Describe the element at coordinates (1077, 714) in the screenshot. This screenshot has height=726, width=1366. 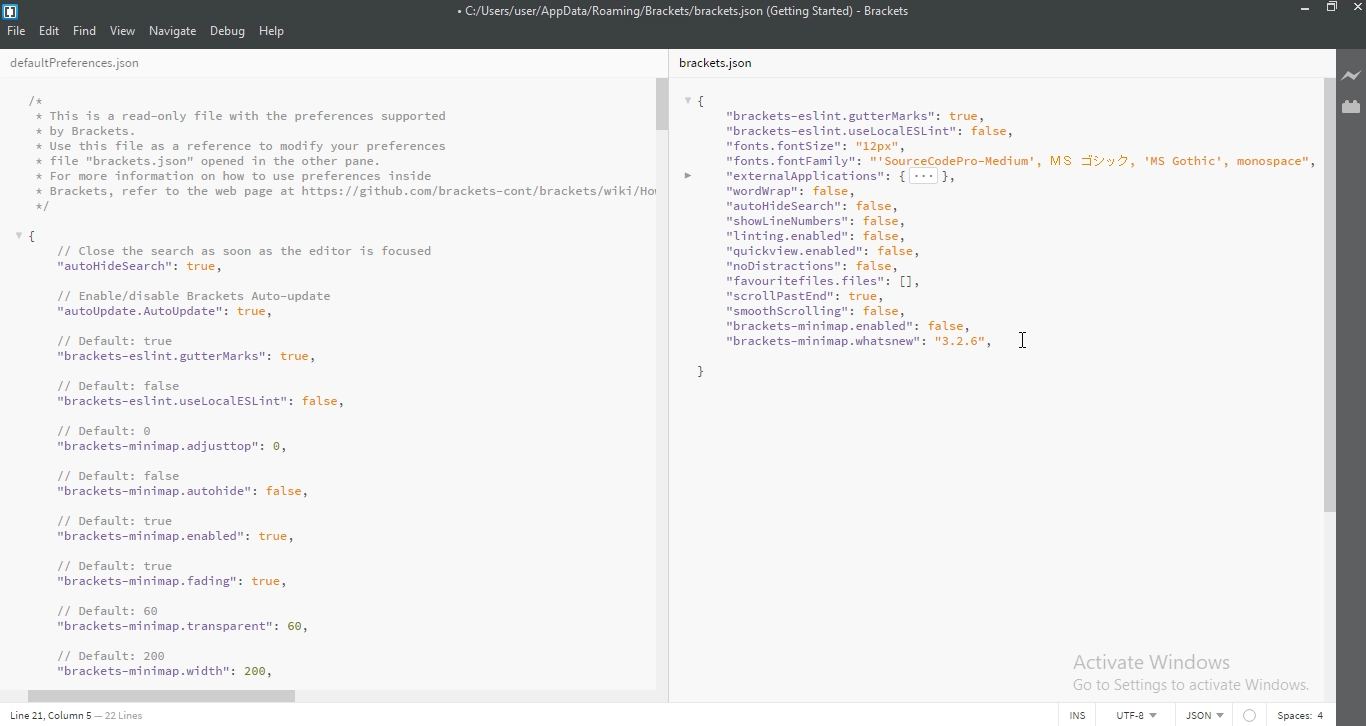
I see `INS` at that location.